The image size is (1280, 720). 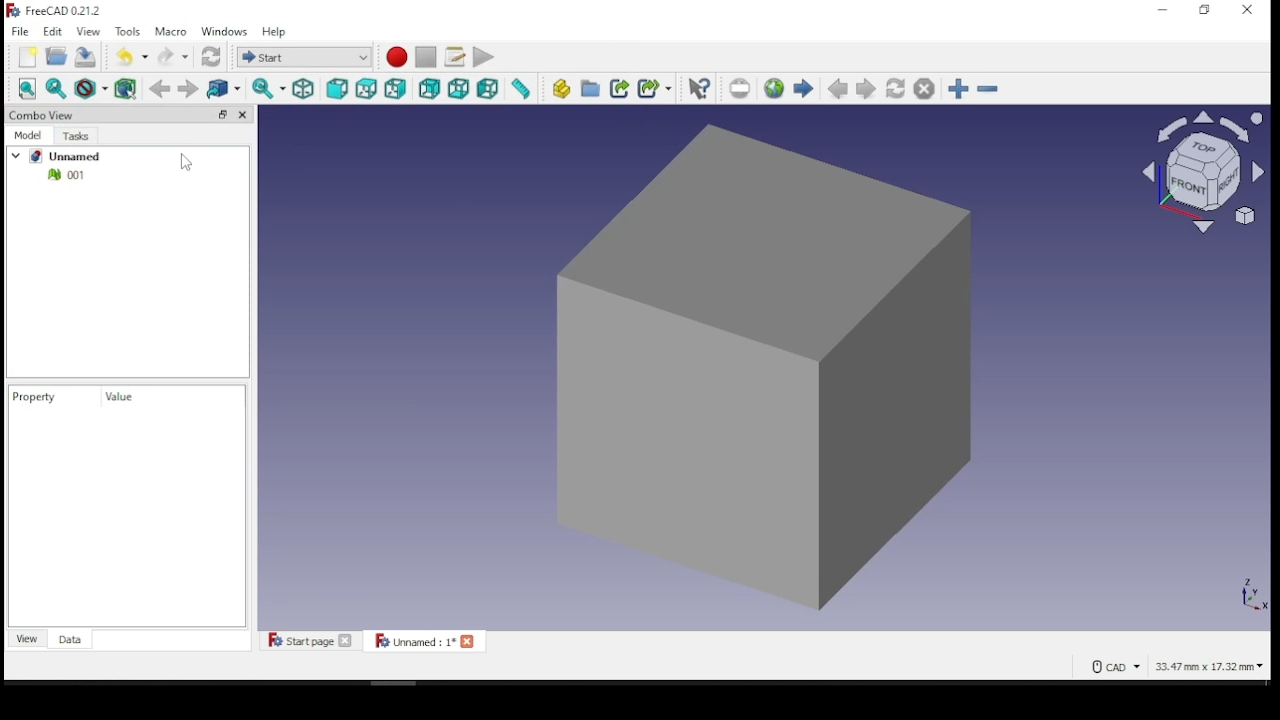 I want to click on mouse pointer, so click(x=183, y=162).